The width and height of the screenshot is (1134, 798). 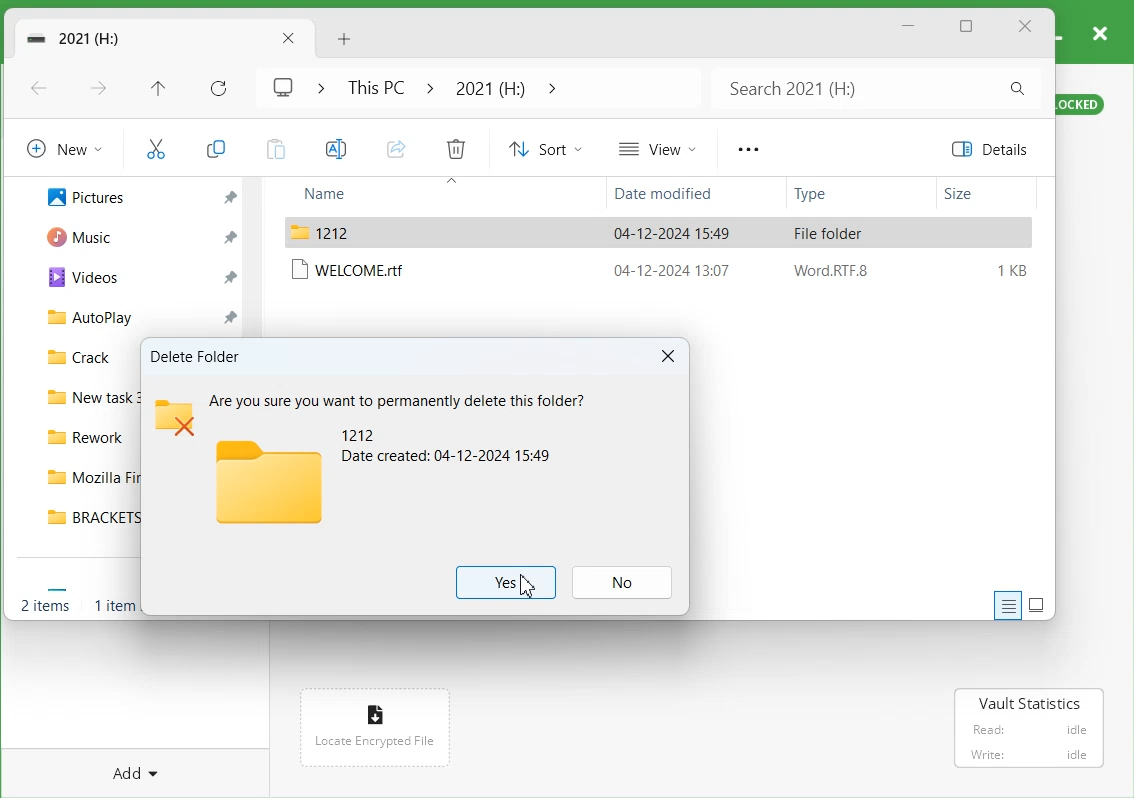 I want to click on Name, so click(x=362, y=194).